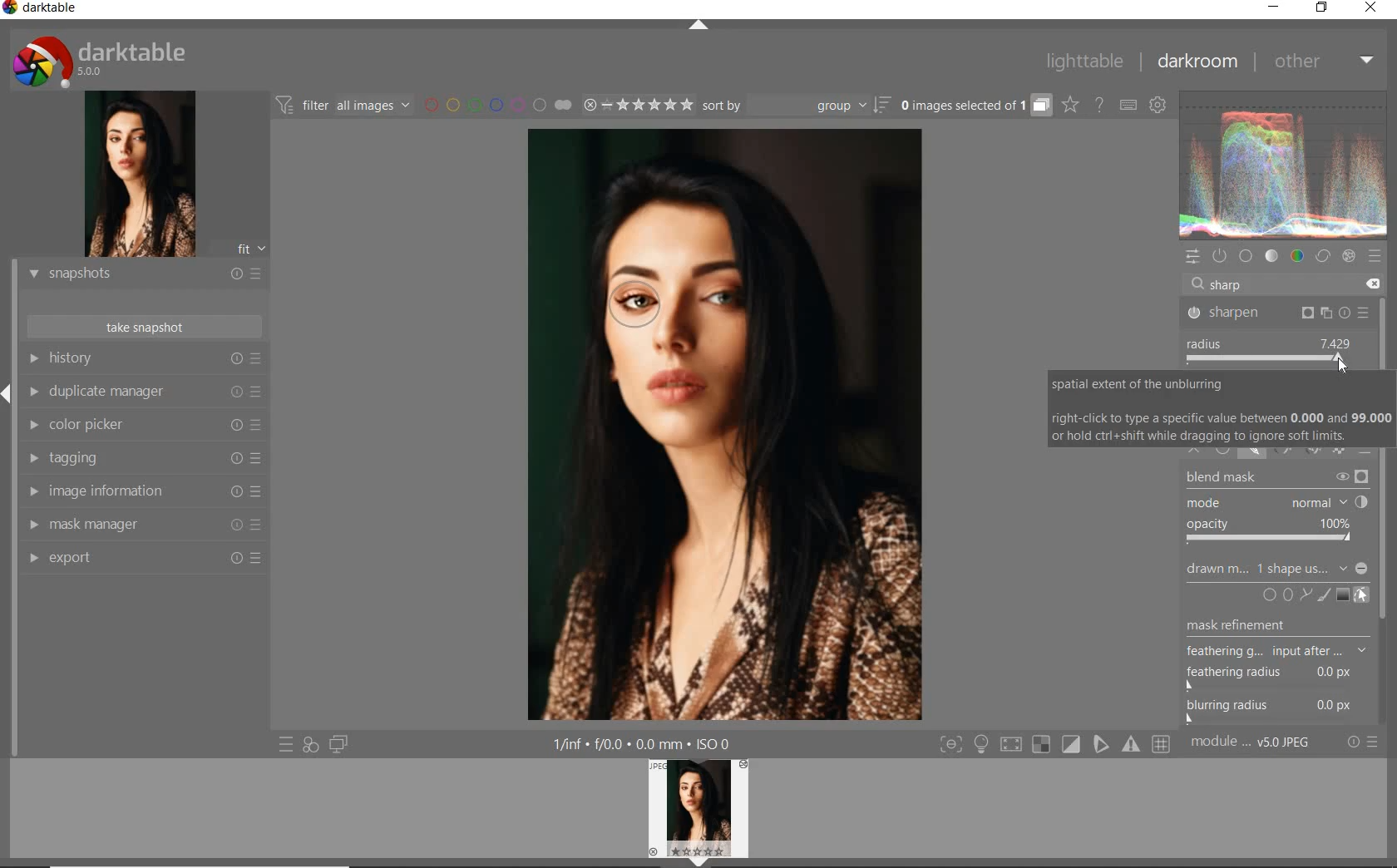 Image resolution: width=1397 pixels, height=868 pixels. What do you see at coordinates (1193, 60) in the screenshot?
I see `darkroom` at bounding box center [1193, 60].